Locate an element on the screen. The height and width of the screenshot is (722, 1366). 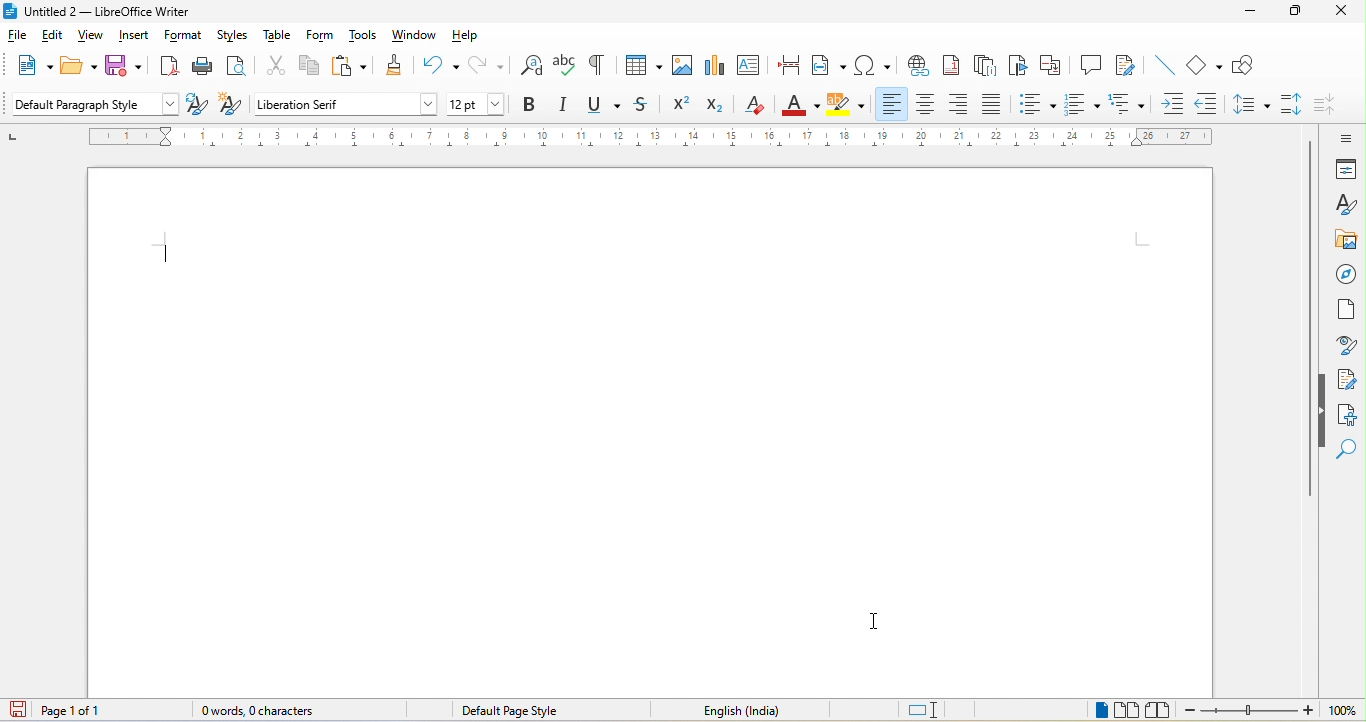
font color is located at coordinates (796, 106).